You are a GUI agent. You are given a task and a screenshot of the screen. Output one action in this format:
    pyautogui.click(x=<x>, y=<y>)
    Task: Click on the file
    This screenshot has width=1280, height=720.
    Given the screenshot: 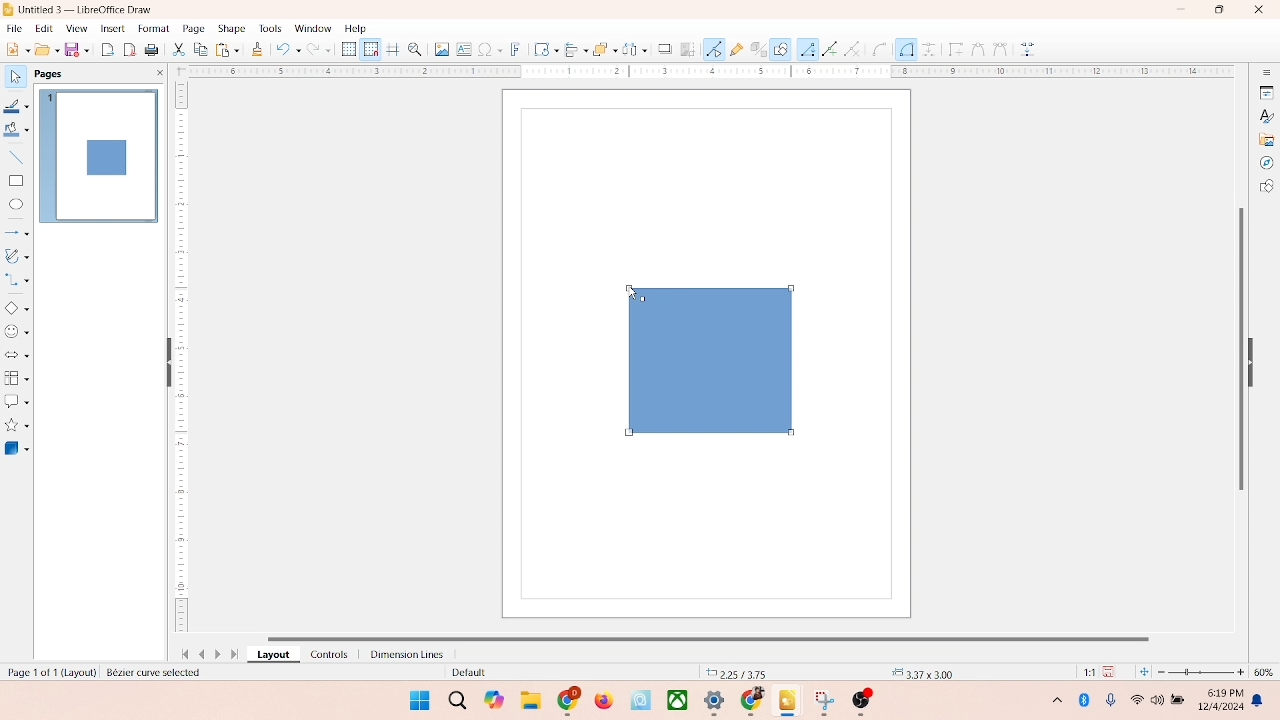 What is the action you would take?
    pyautogui.click(x=15, y=26)
    